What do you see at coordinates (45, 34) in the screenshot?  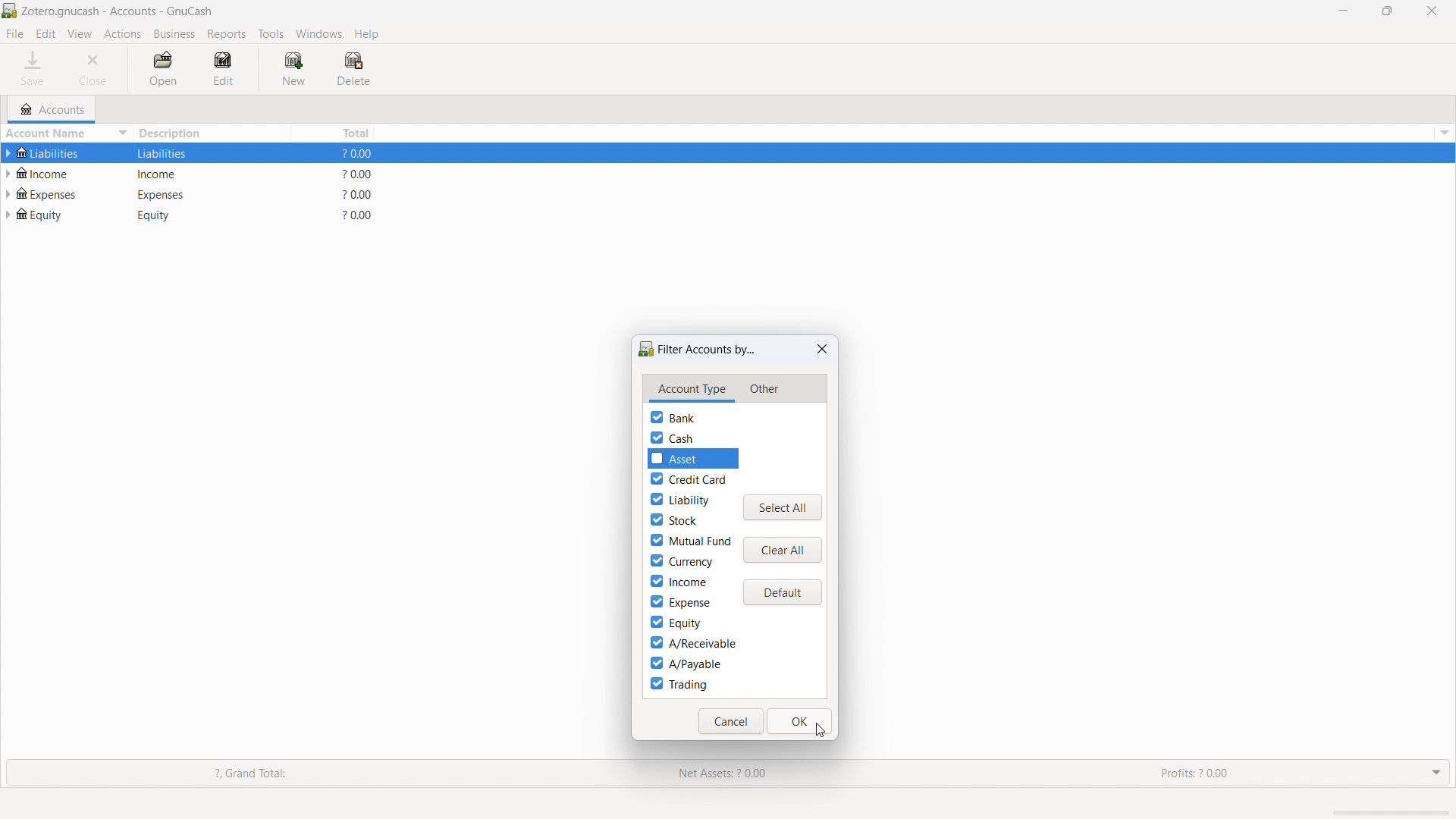 I see `edit` at bounding box center [45, 34].